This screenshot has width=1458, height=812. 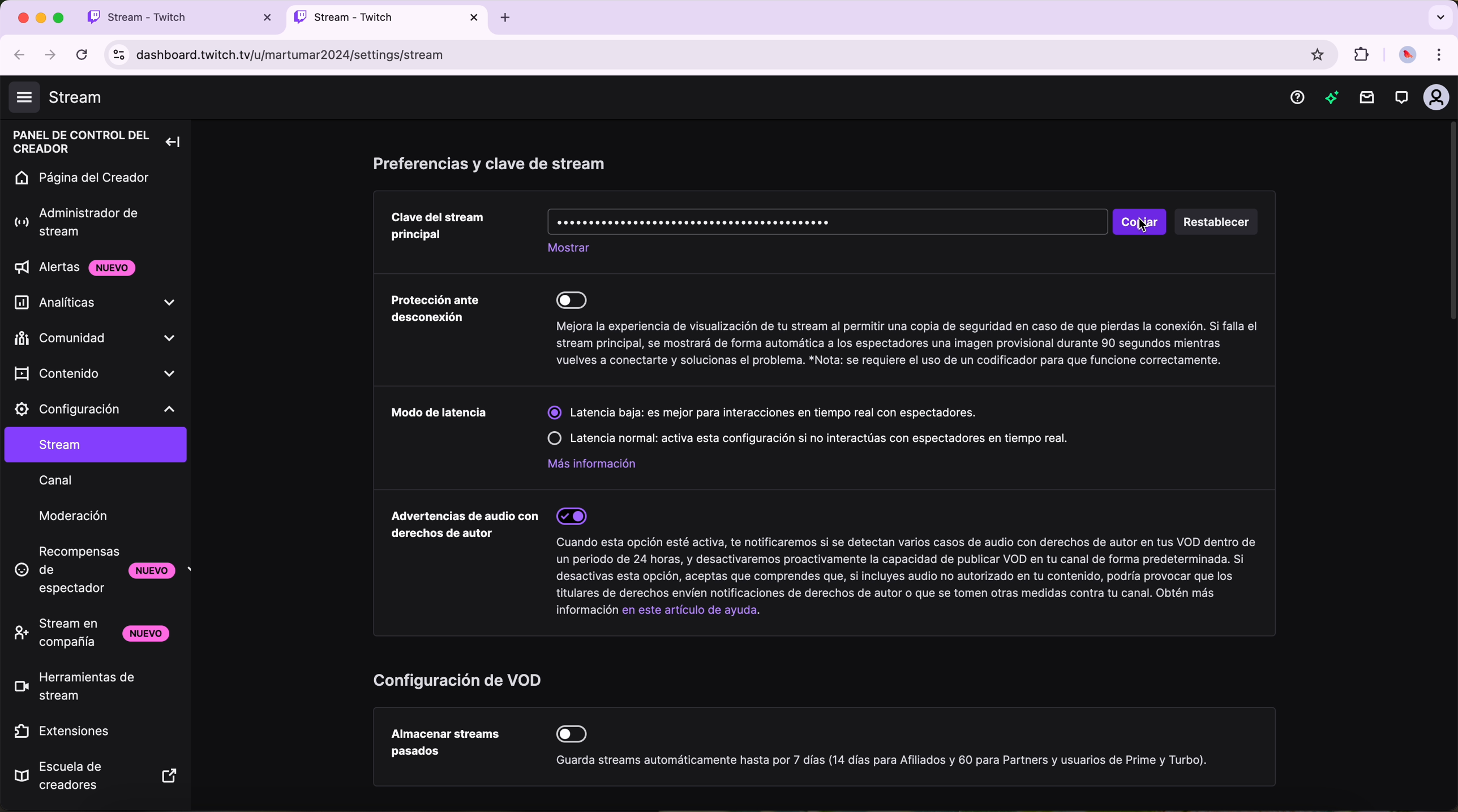 I want to click on more information, so click(x=589, y=465).